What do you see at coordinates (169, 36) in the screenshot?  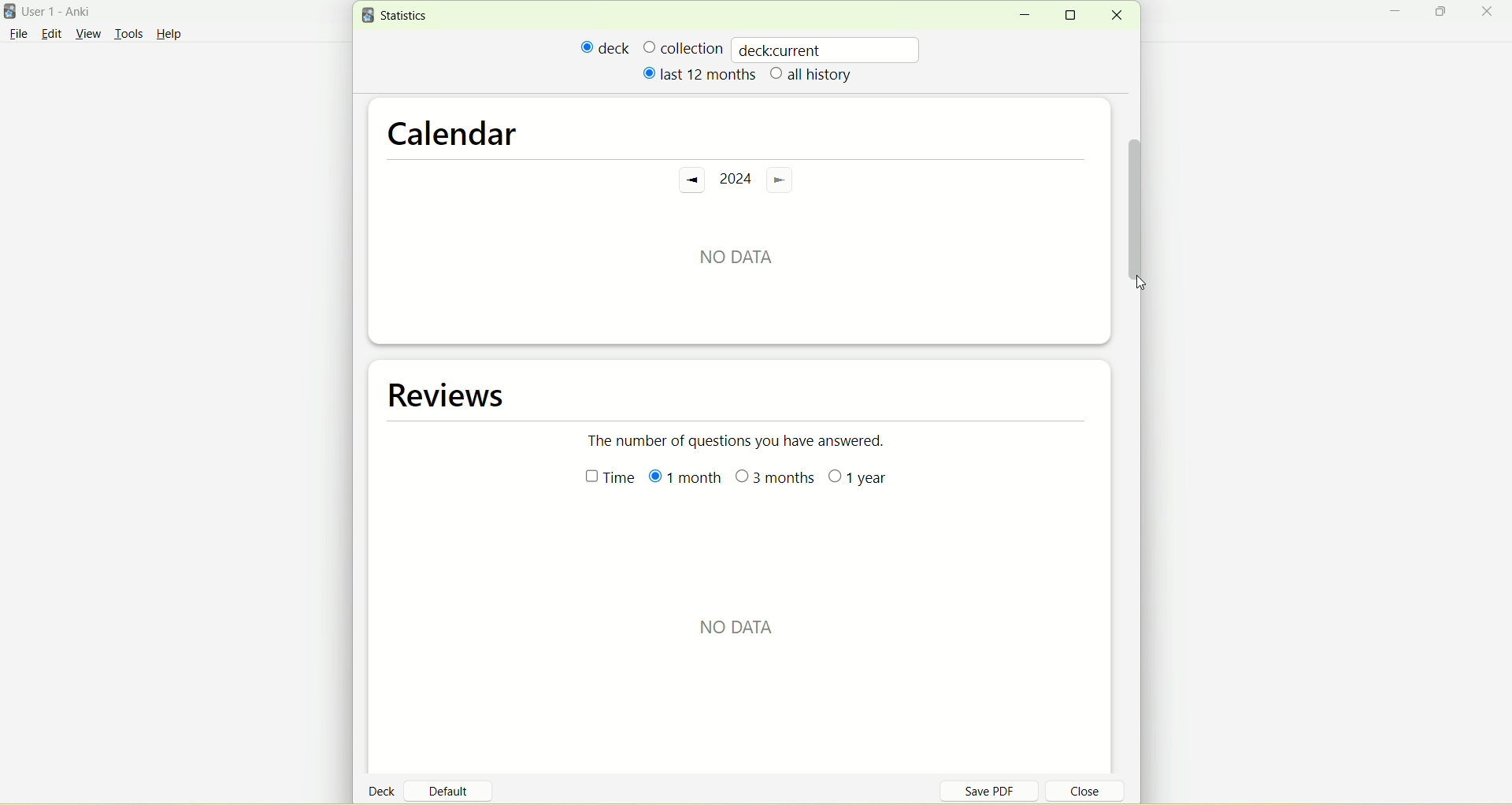 I see `Help` at bounding box center [169, 36].